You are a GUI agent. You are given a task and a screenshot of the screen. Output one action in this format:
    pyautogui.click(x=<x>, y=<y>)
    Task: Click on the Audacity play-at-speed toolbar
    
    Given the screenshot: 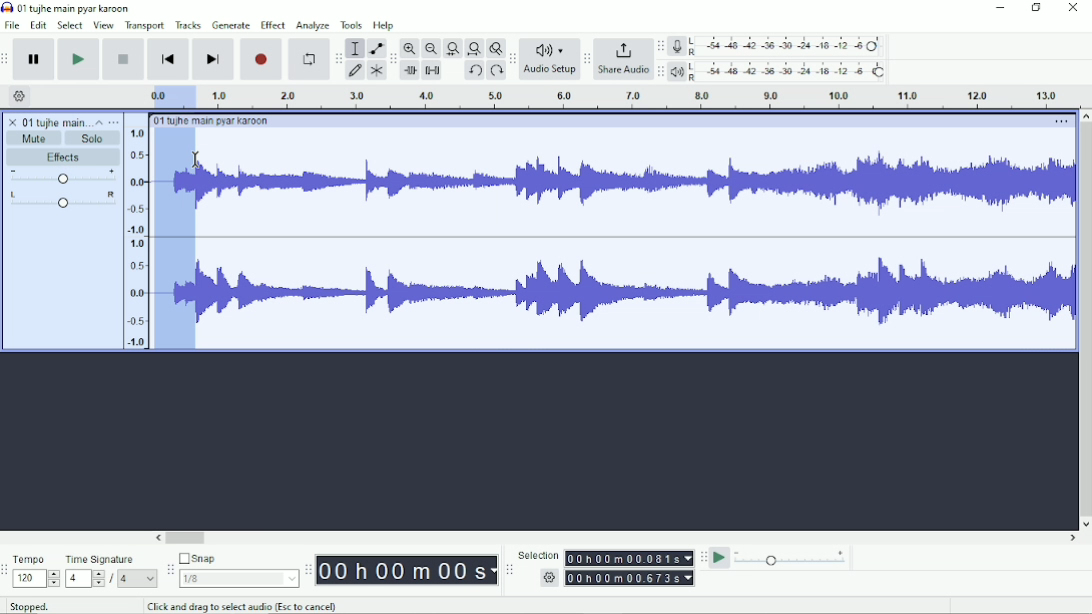 What is the action you would take?
    pyautogui.click(x=702, y=557)
    